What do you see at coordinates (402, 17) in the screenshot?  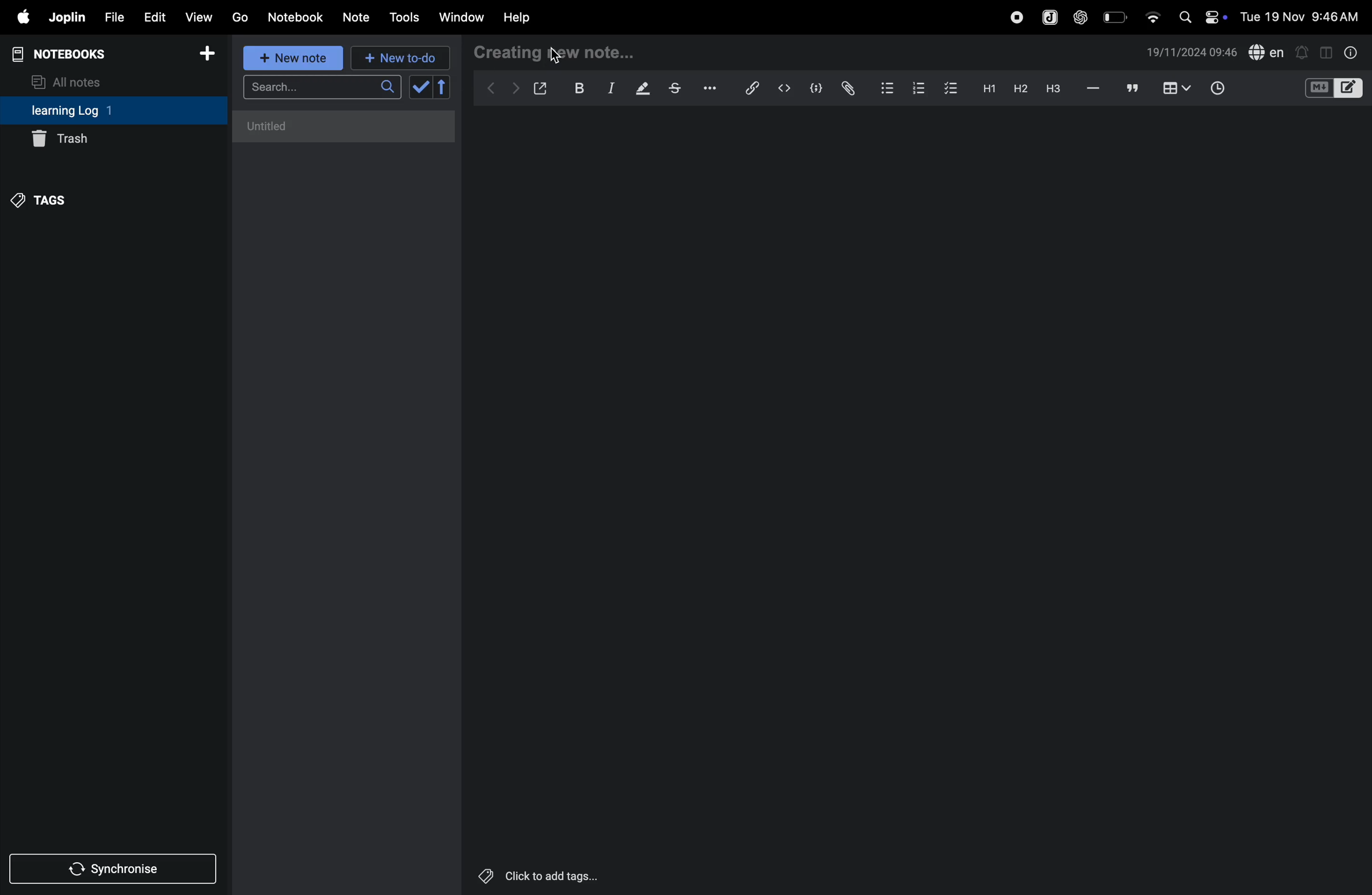 I see `tools` at bounding box center [402, 17].